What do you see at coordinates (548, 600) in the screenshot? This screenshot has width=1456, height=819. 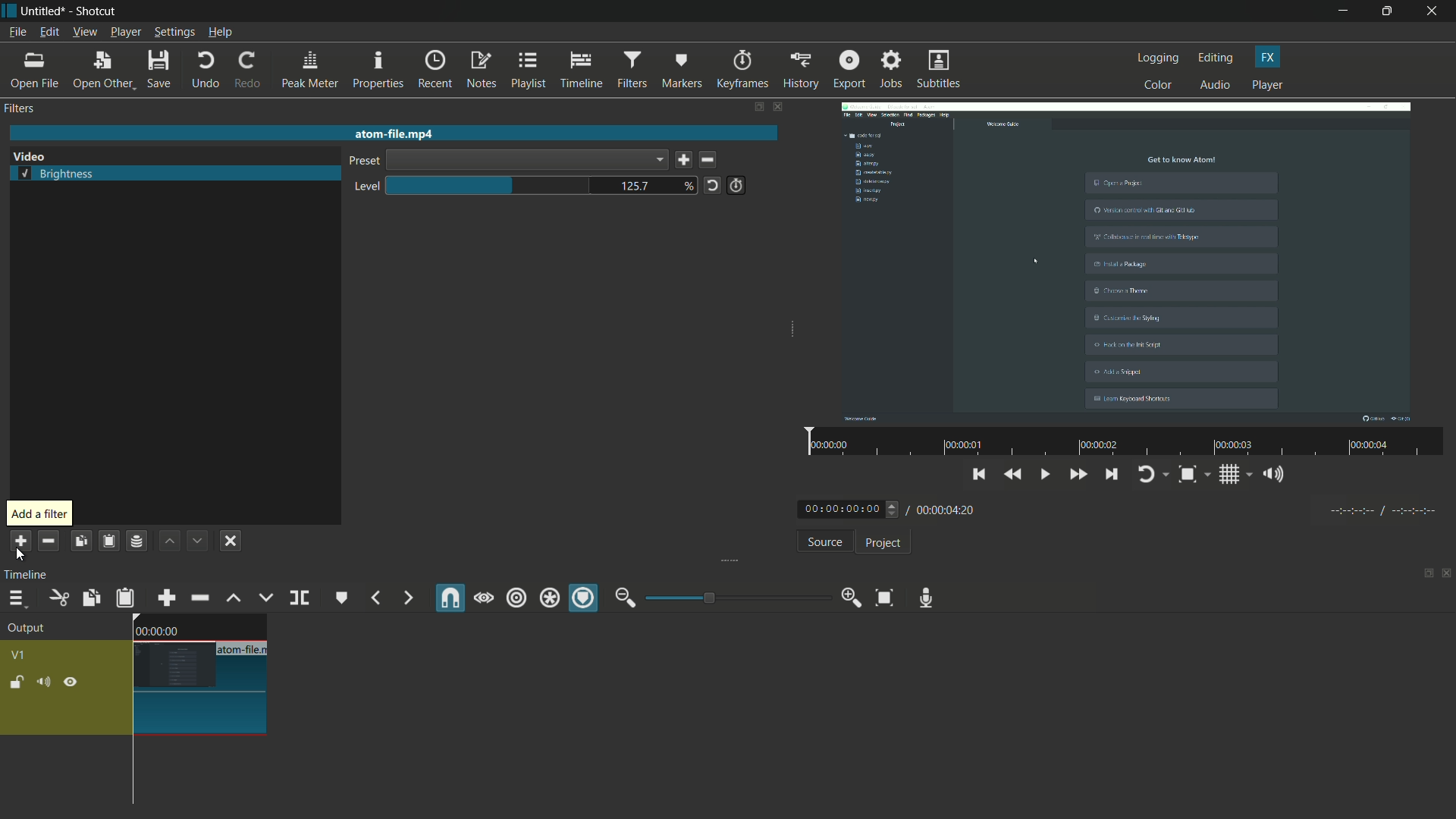 I see `ripple all tracks` at bounding box center [548, 600].